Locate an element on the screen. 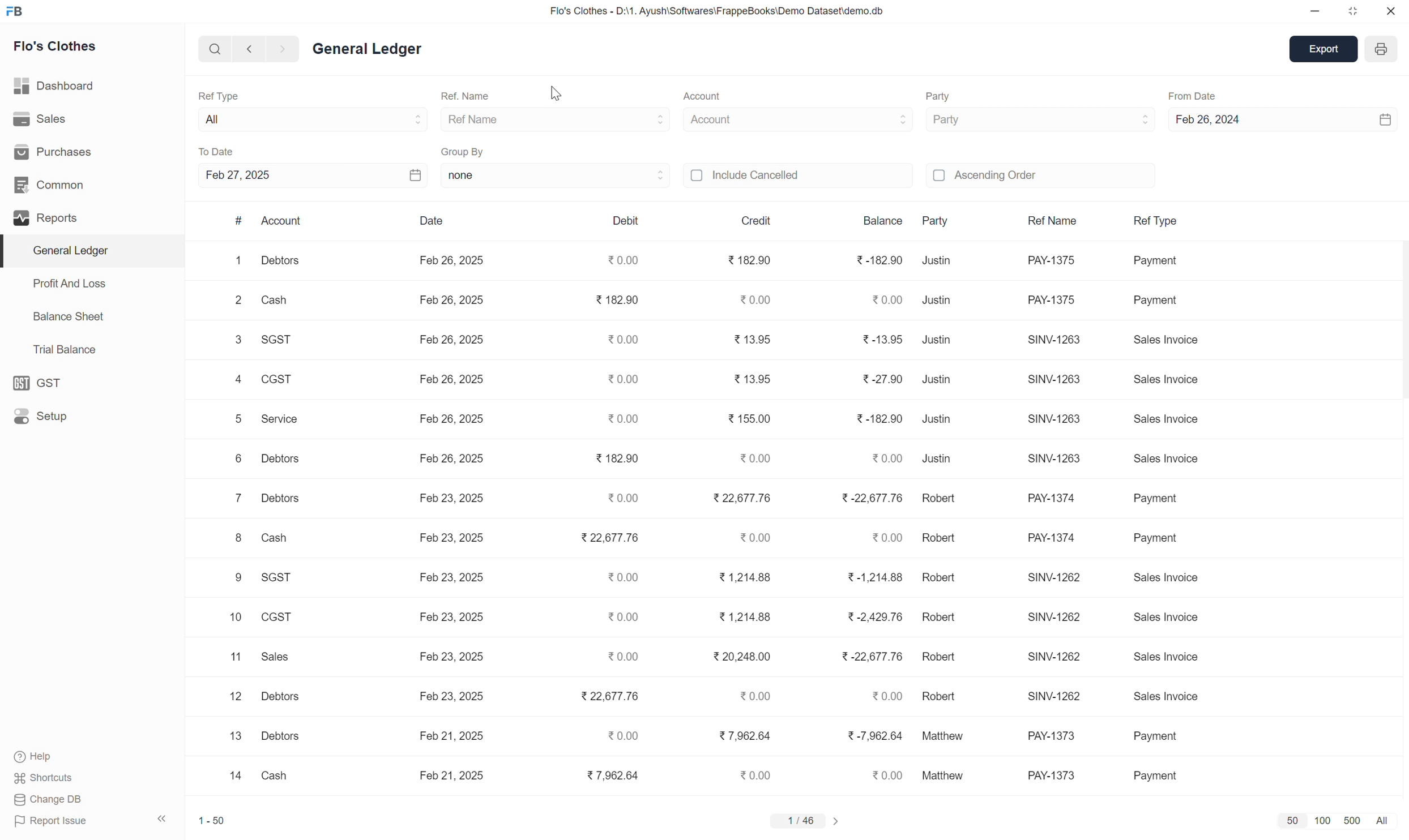  pay-1374 is located at coordinates (1057, 500).